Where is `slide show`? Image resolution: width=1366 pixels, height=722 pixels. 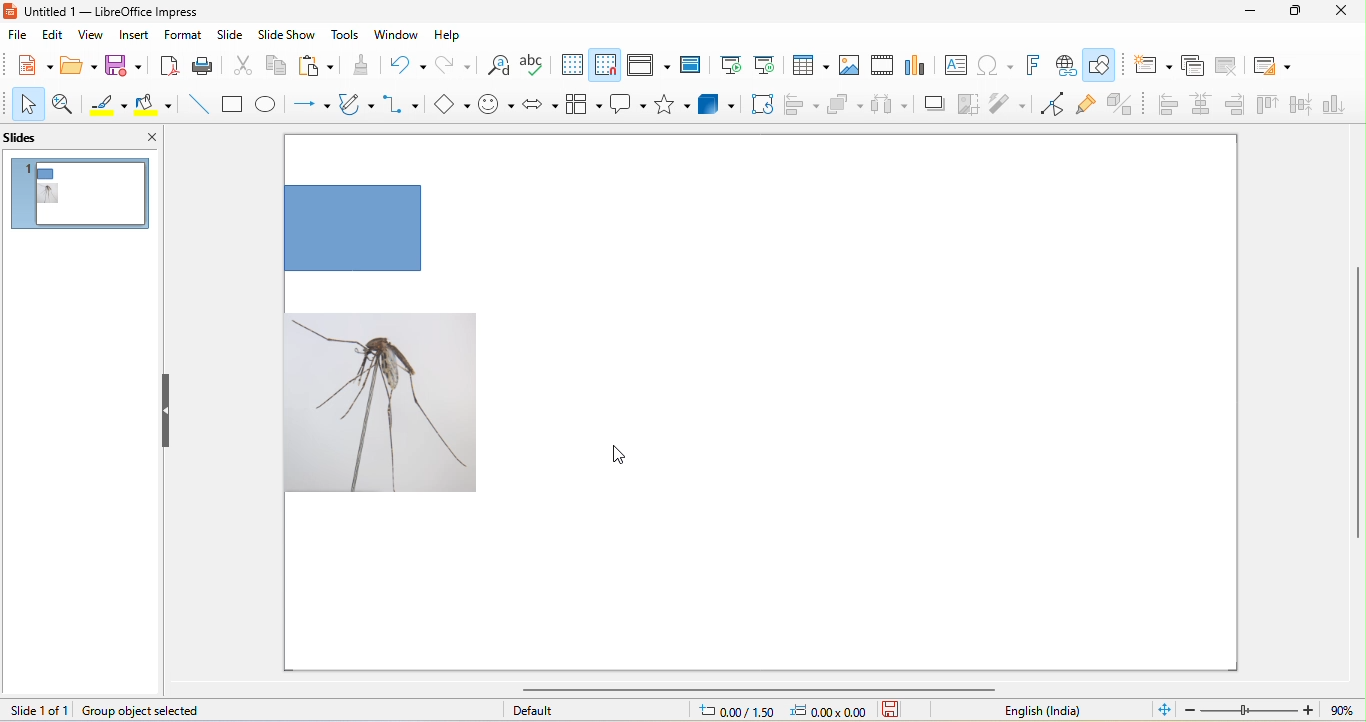 slide show is located at coordinates (292, 37).